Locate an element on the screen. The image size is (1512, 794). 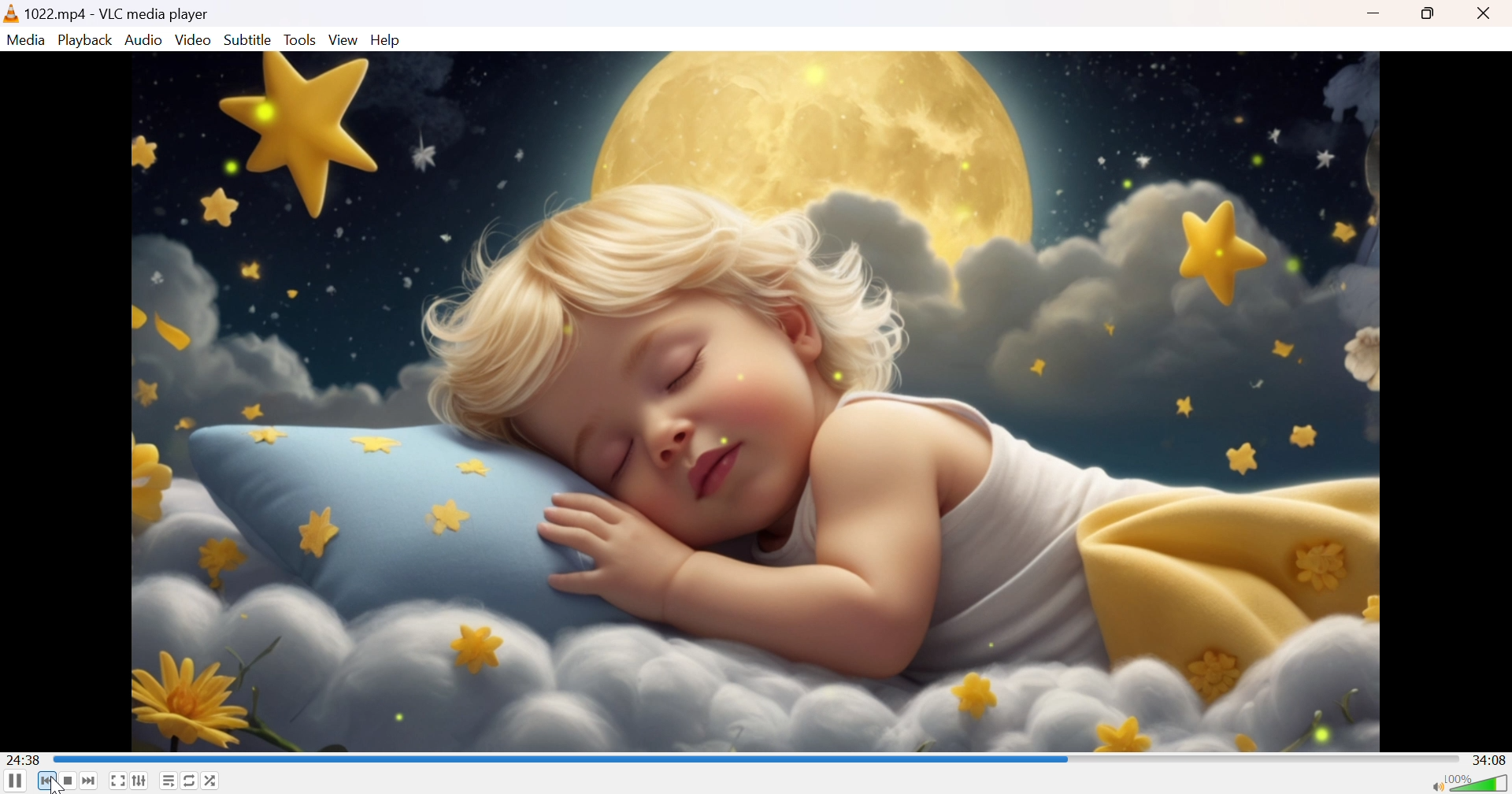
Tools is located at coordinates (302, 39).